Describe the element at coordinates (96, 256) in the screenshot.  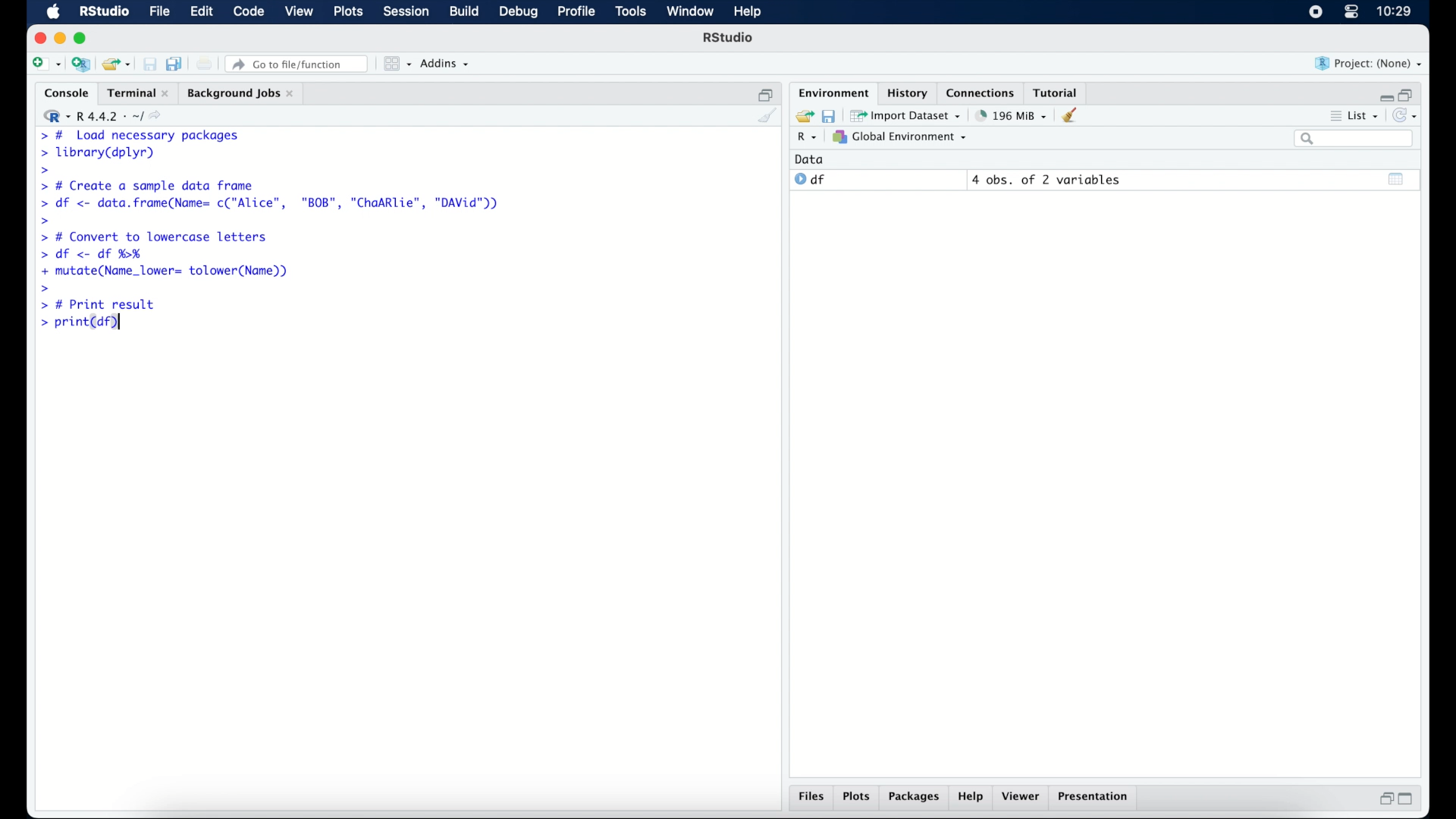
I see `> df <- df %H` at that location.